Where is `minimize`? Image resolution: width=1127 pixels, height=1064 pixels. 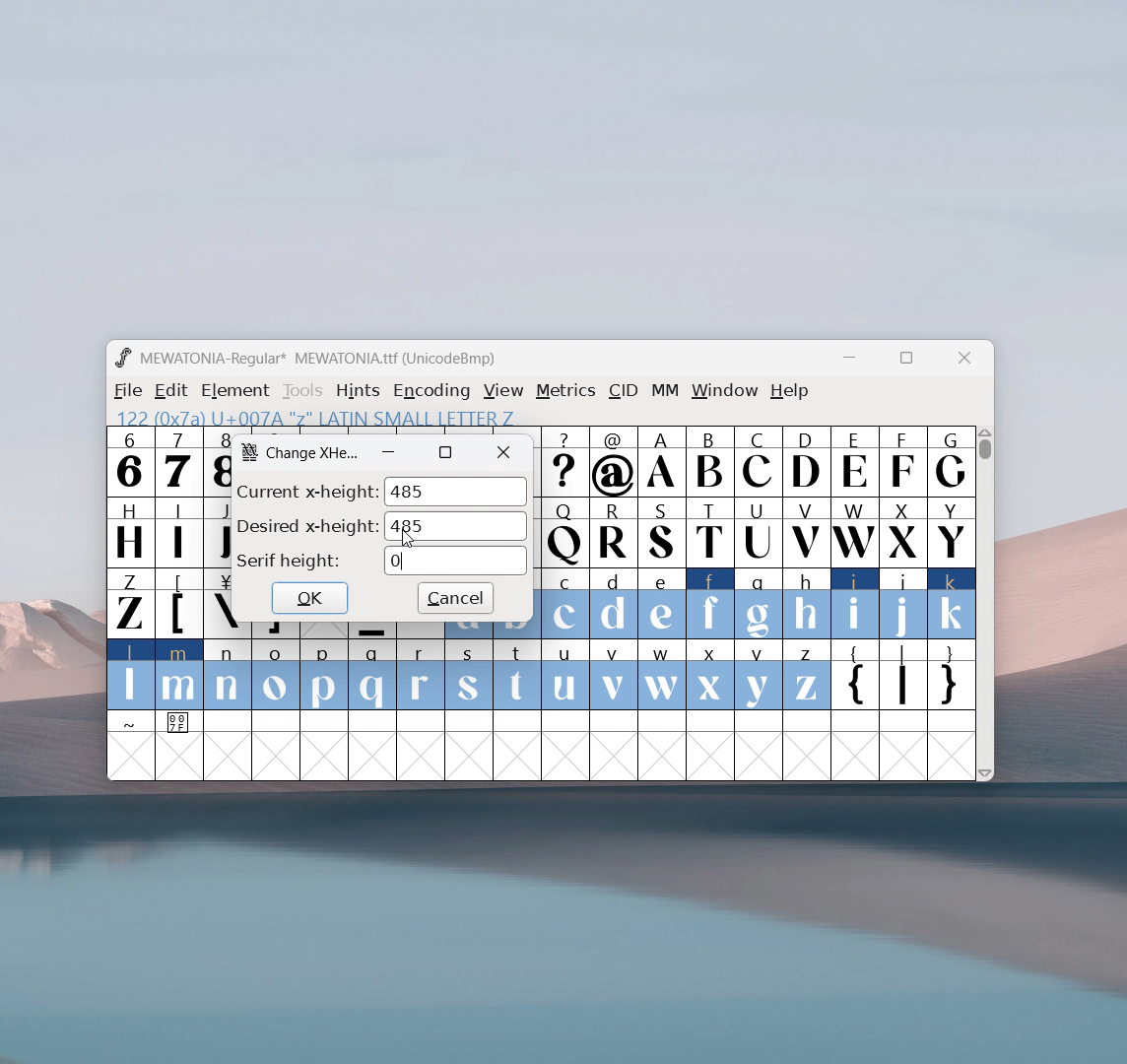
minimize is located at coordinates (856, 361).